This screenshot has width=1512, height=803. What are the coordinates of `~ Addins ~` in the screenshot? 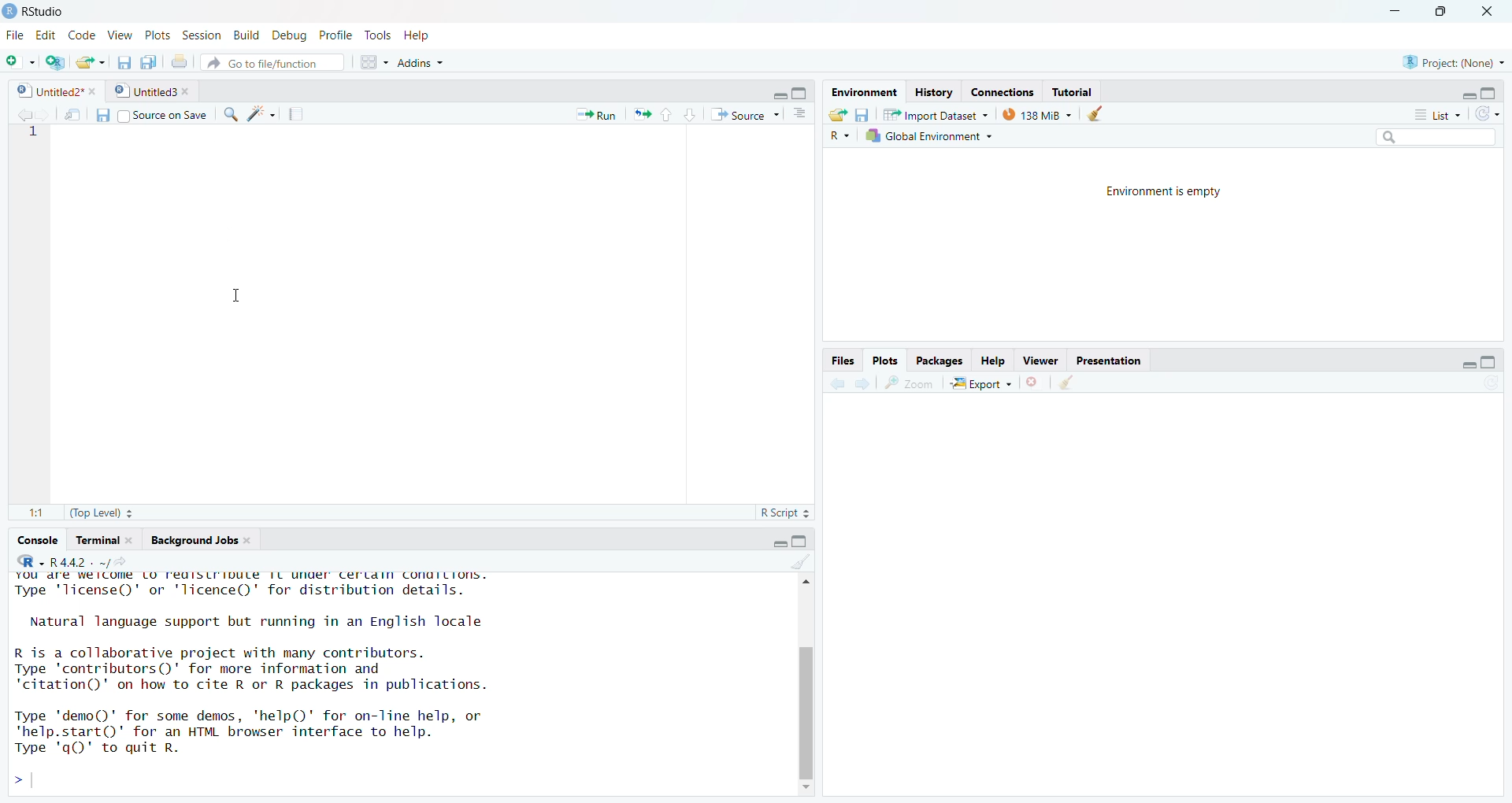 It's located at (434, 61).